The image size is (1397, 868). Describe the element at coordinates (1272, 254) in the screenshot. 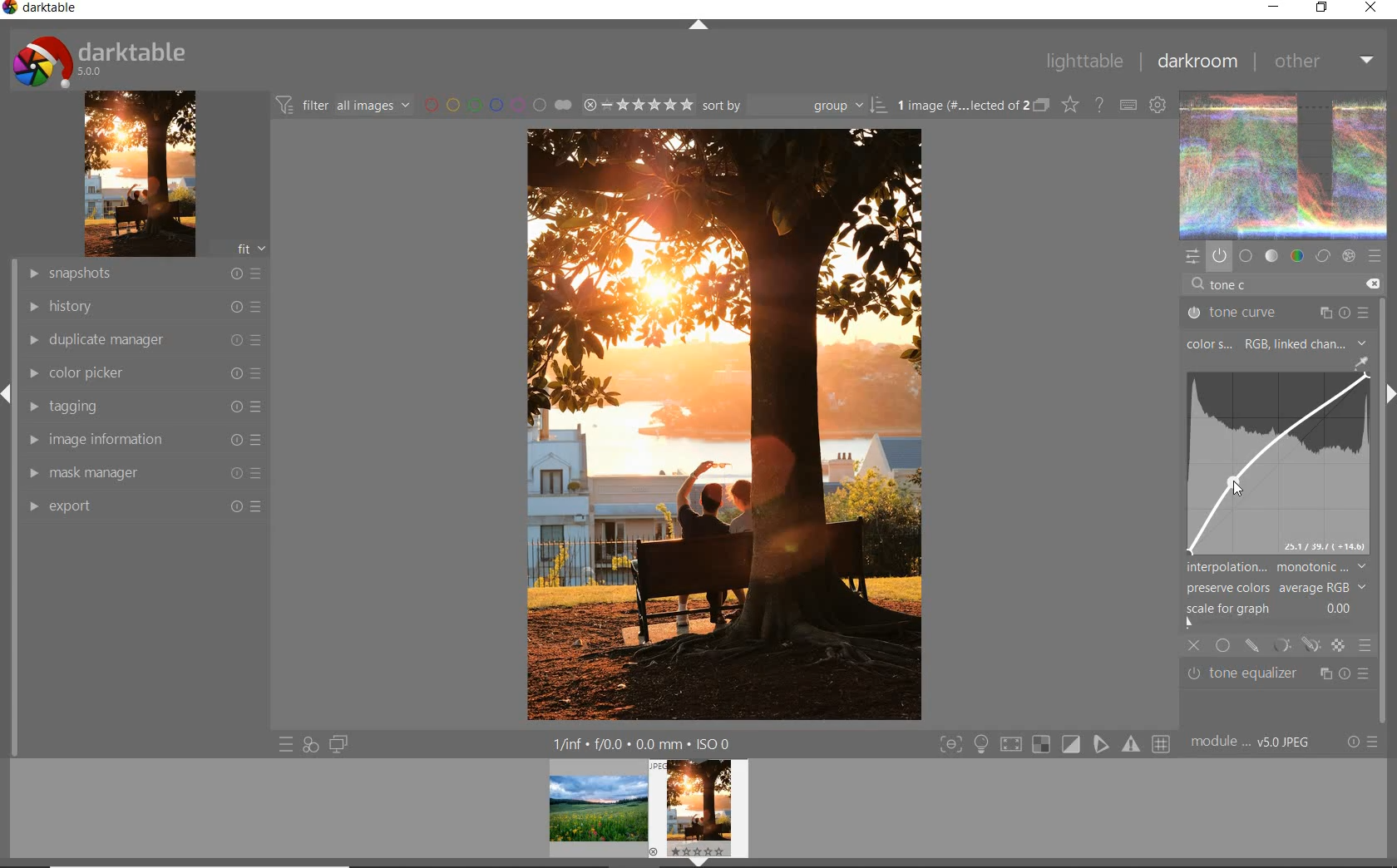

I see `tone` at that location.